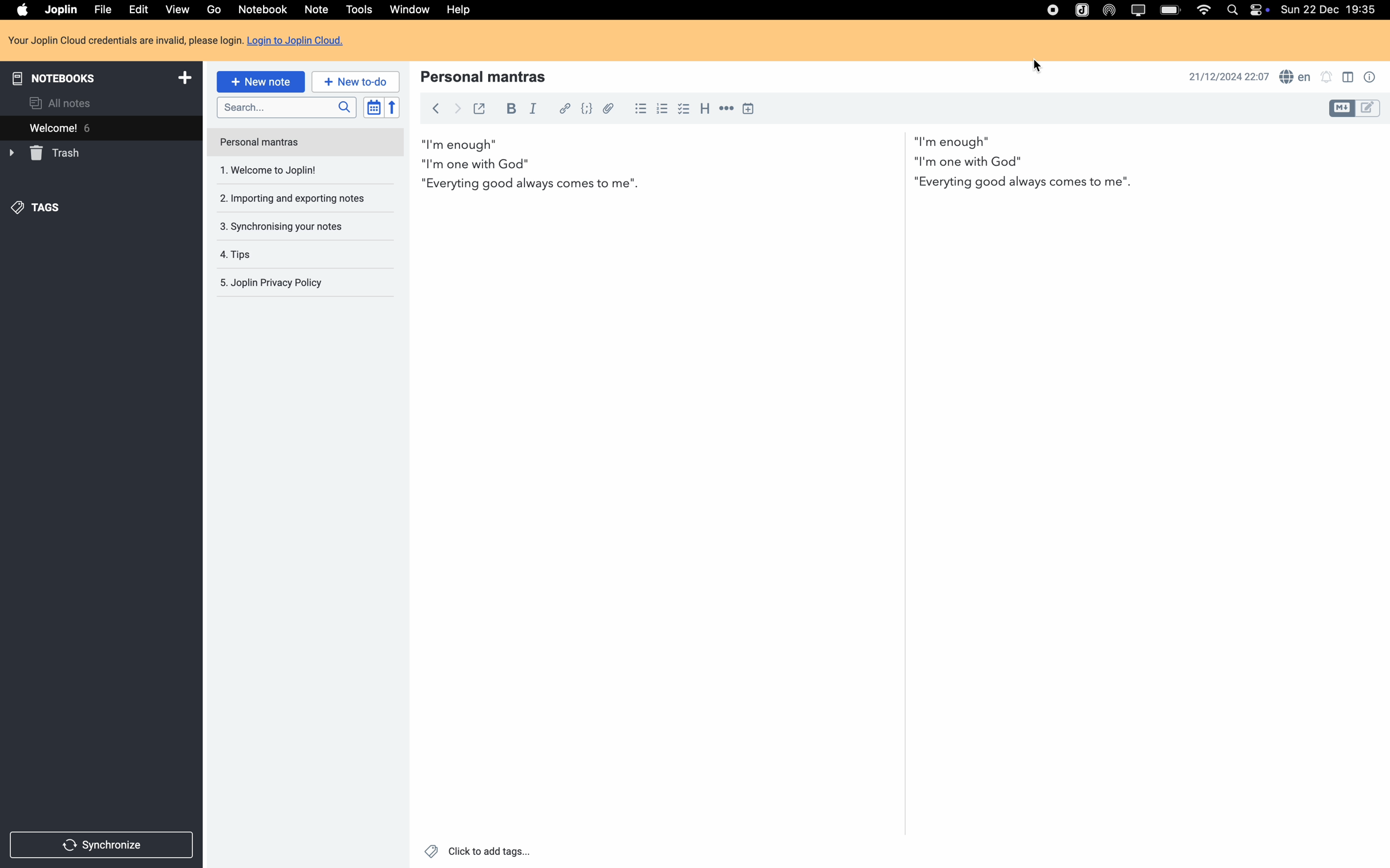 This screenshot has width=1390, height=868. What do you see at coordinates (61, 103) in the screenshot?
I see `all notes` at bounding box center [61, 103].